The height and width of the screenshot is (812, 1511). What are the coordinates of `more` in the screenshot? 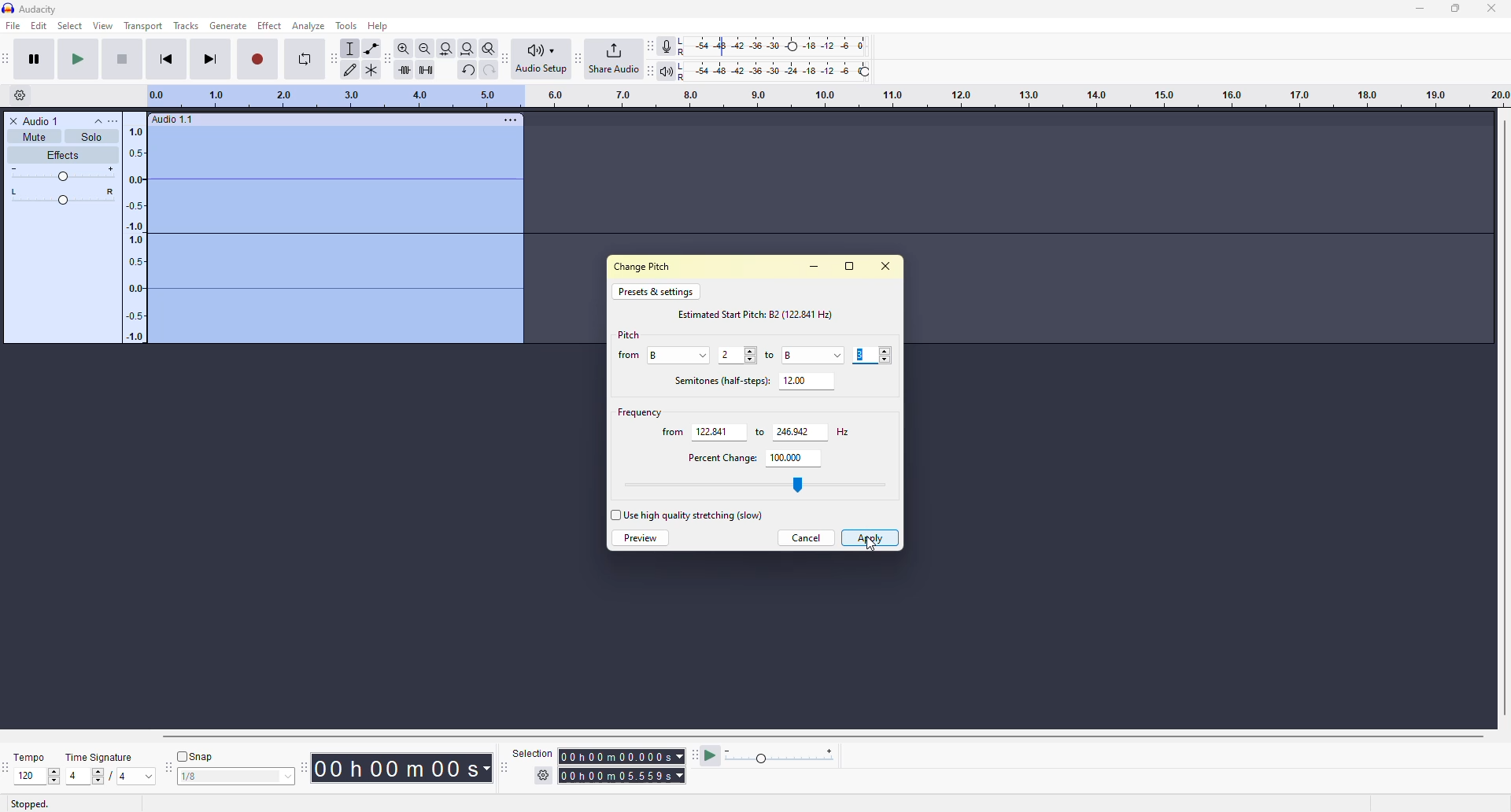 It's located at (119, 121).